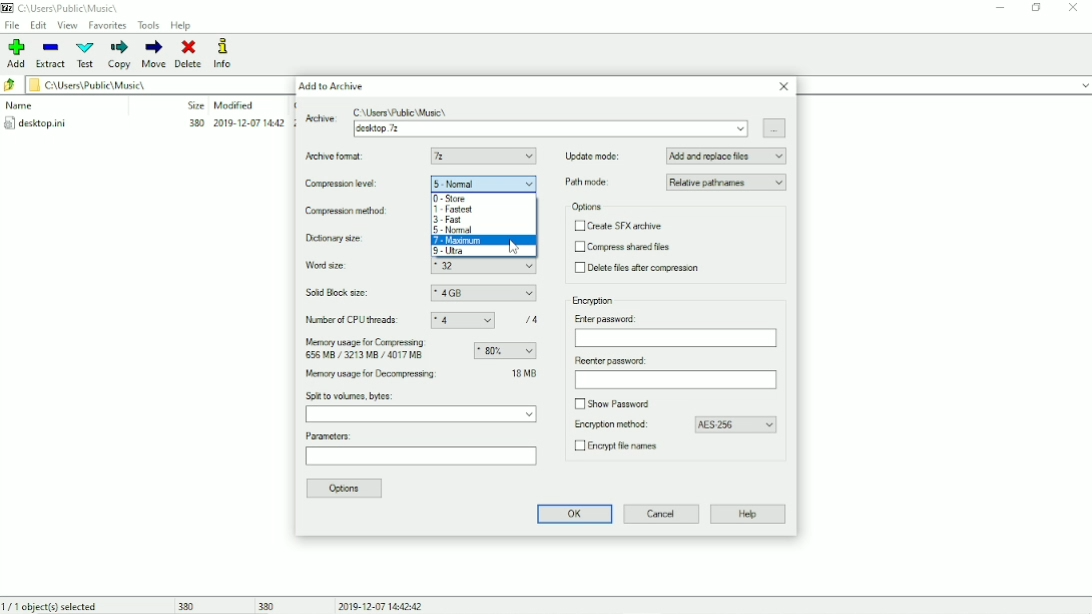  Describe the element at coordinates (352, 238) in the screenshot. I see `Dictionary size` at that location.